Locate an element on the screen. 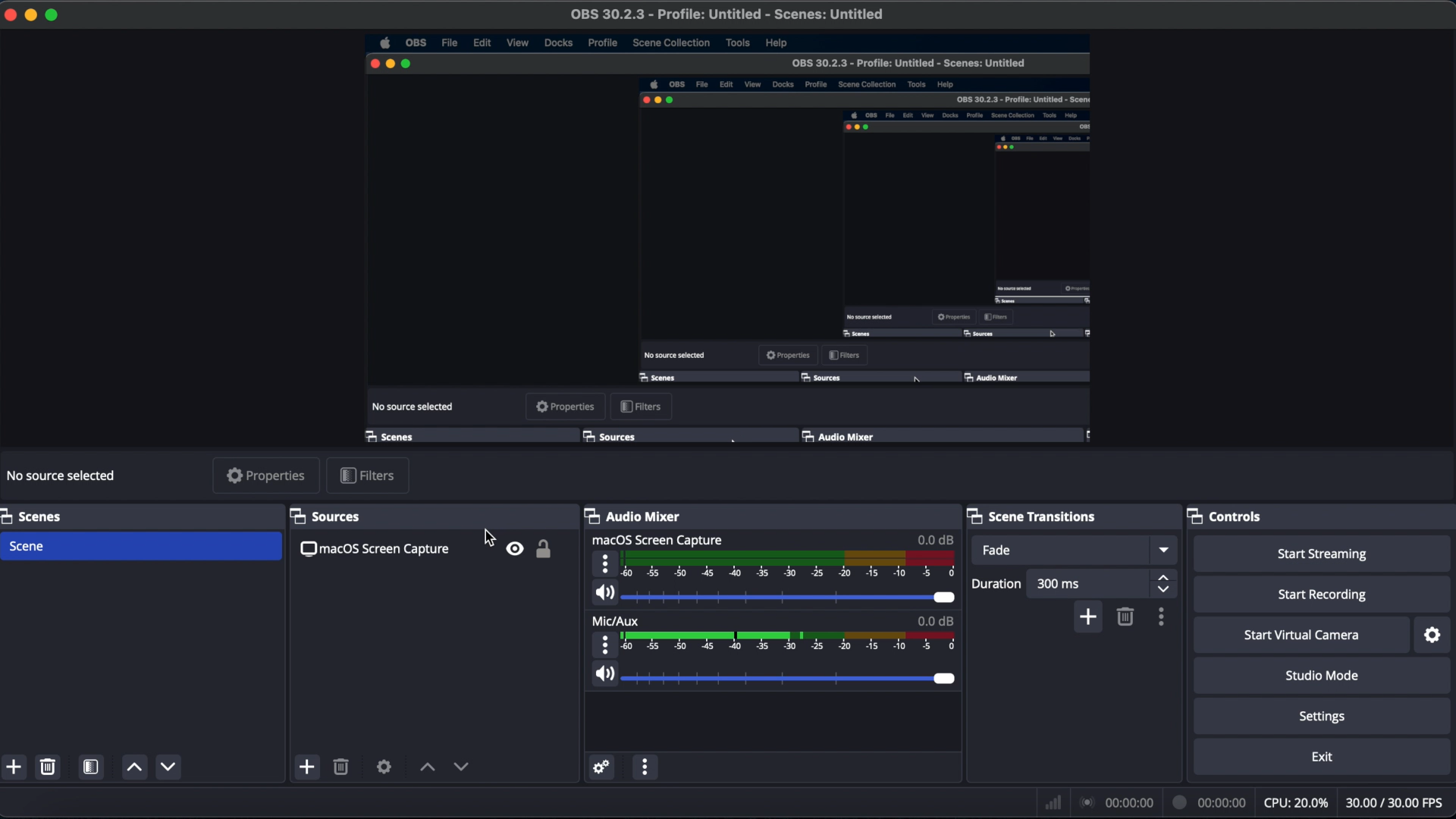 The width and height of the screenshot is (1456, 819). remove selected is located at coordinates (47, 767).